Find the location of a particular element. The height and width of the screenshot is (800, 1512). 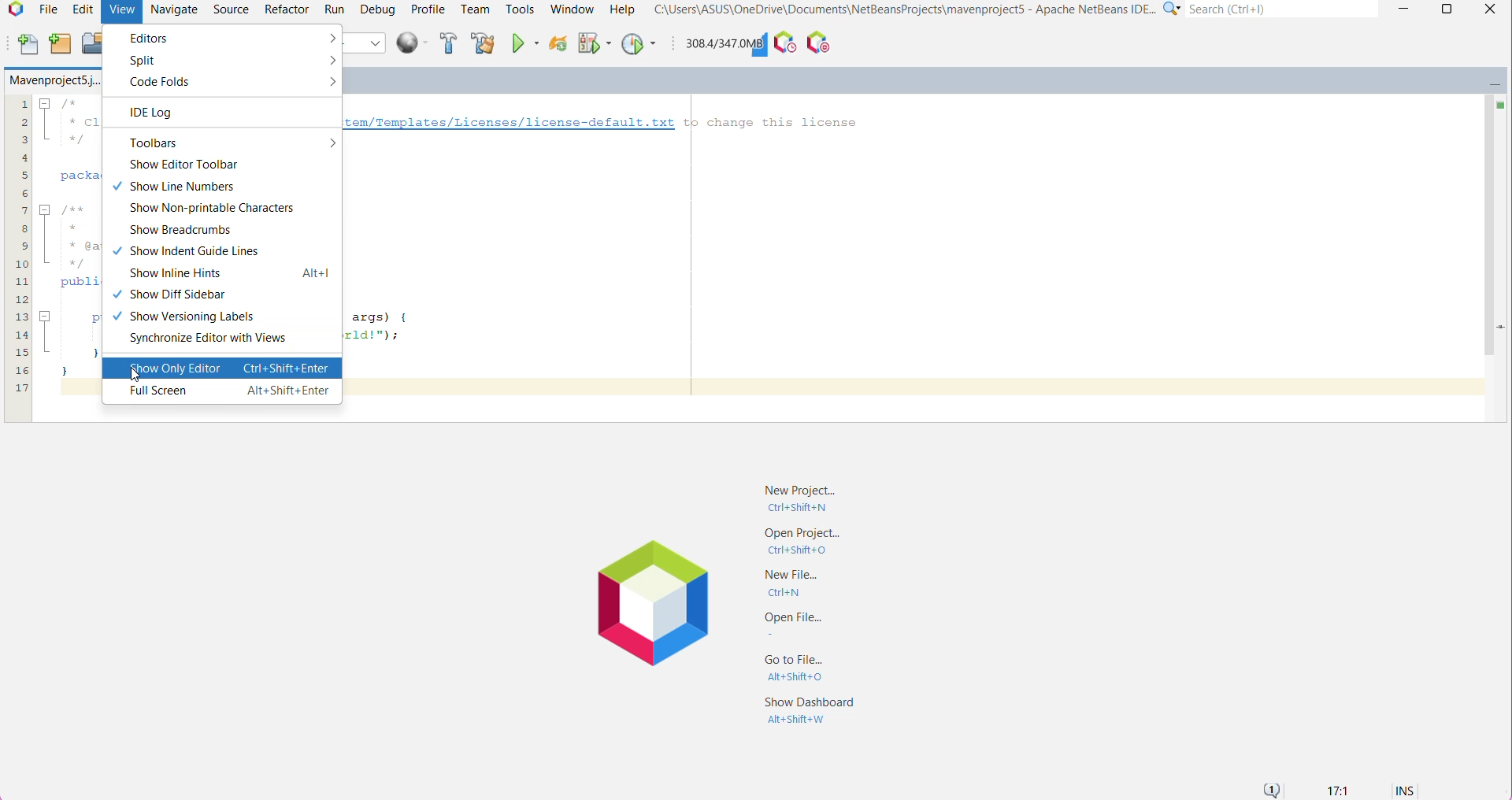

Application Logo is located at coordinates (13, 10).